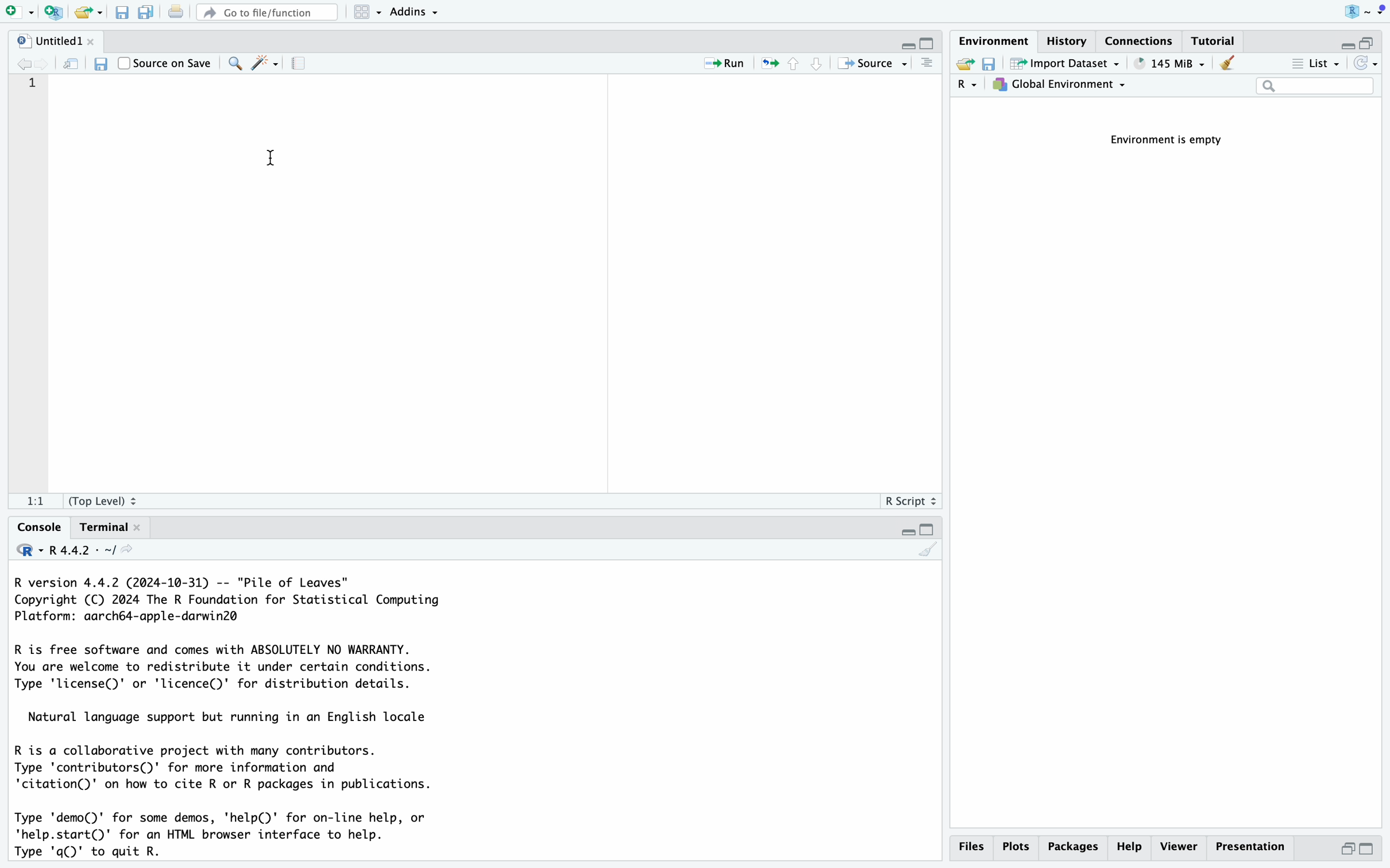  I want to click on 1:1, so click(29, 503).